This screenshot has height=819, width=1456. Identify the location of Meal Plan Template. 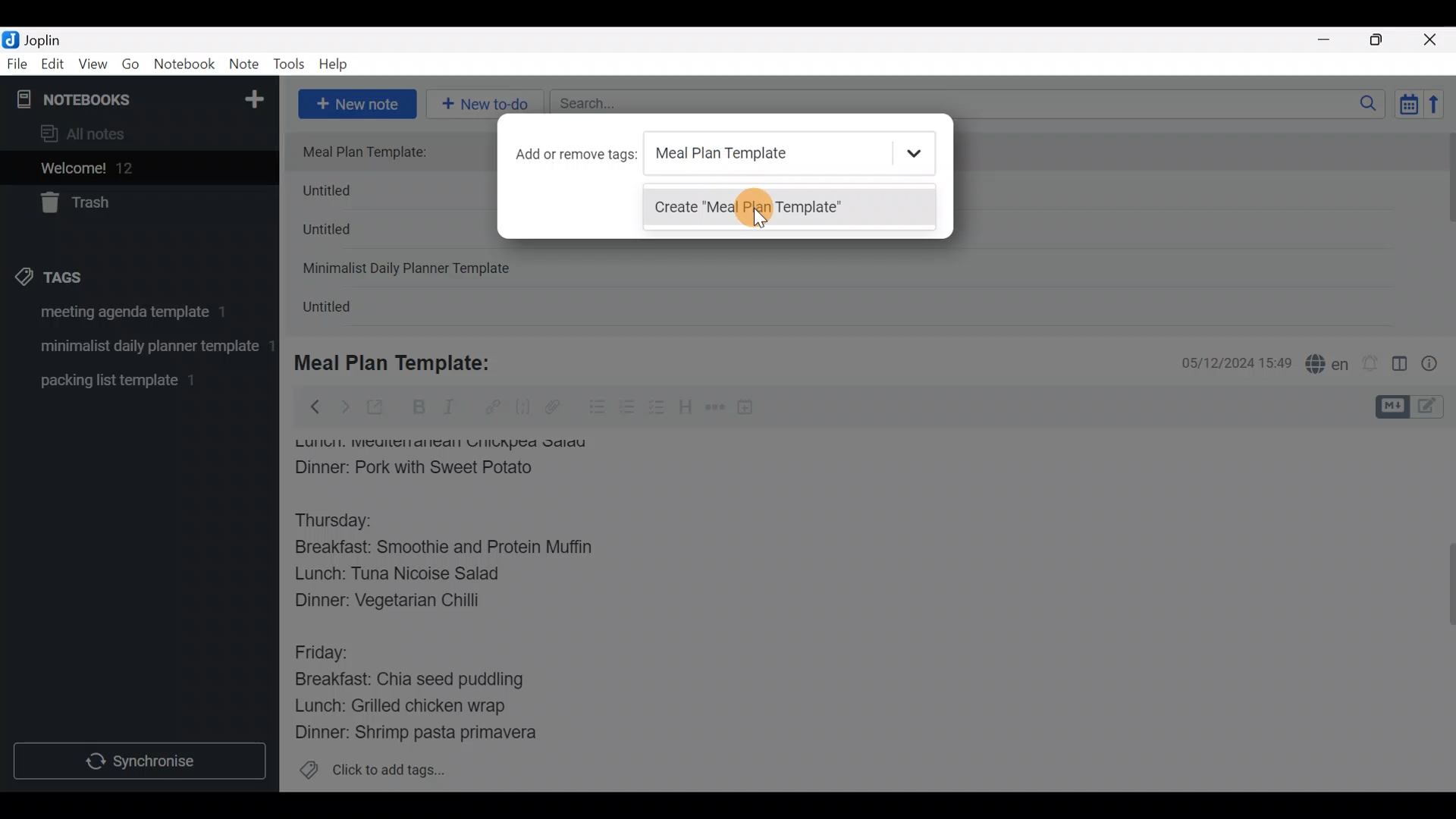
(786, 152).